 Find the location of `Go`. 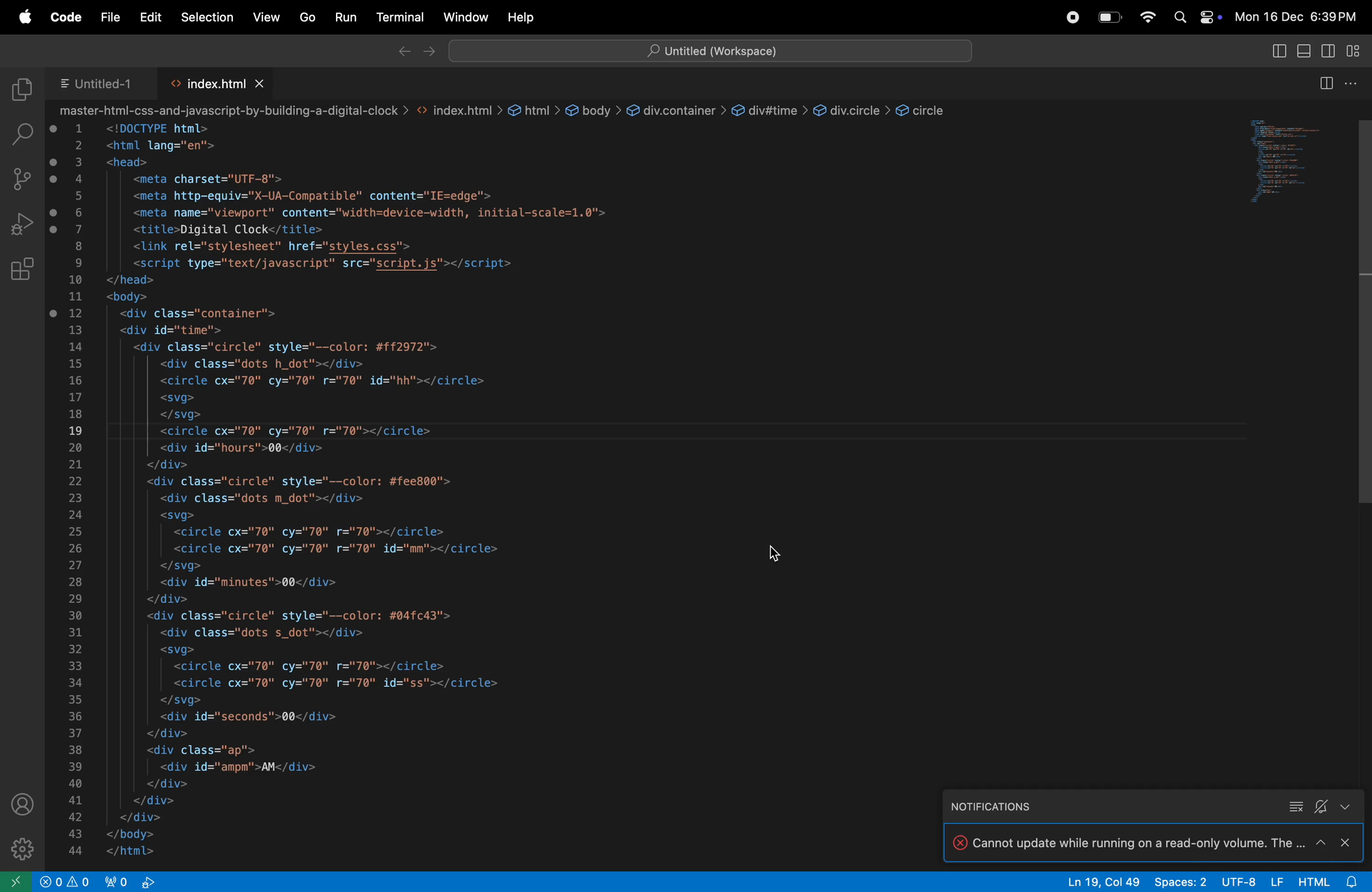

Go is located at coordinates (307, 18).